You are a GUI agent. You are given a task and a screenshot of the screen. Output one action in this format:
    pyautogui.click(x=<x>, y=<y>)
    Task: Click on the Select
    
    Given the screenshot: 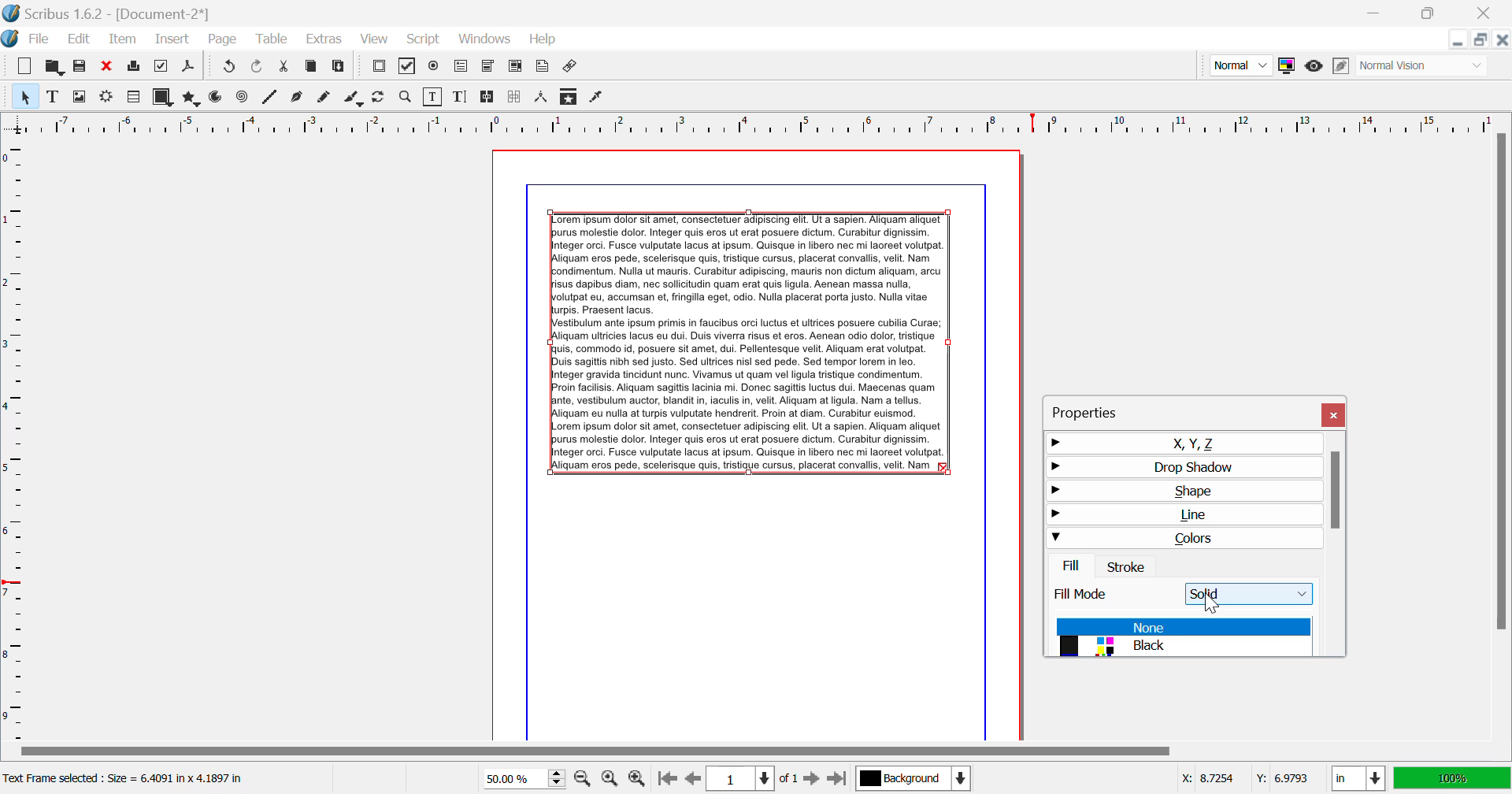 What is the action you would take?
    pyautogui.click(x=24, y=95)
    